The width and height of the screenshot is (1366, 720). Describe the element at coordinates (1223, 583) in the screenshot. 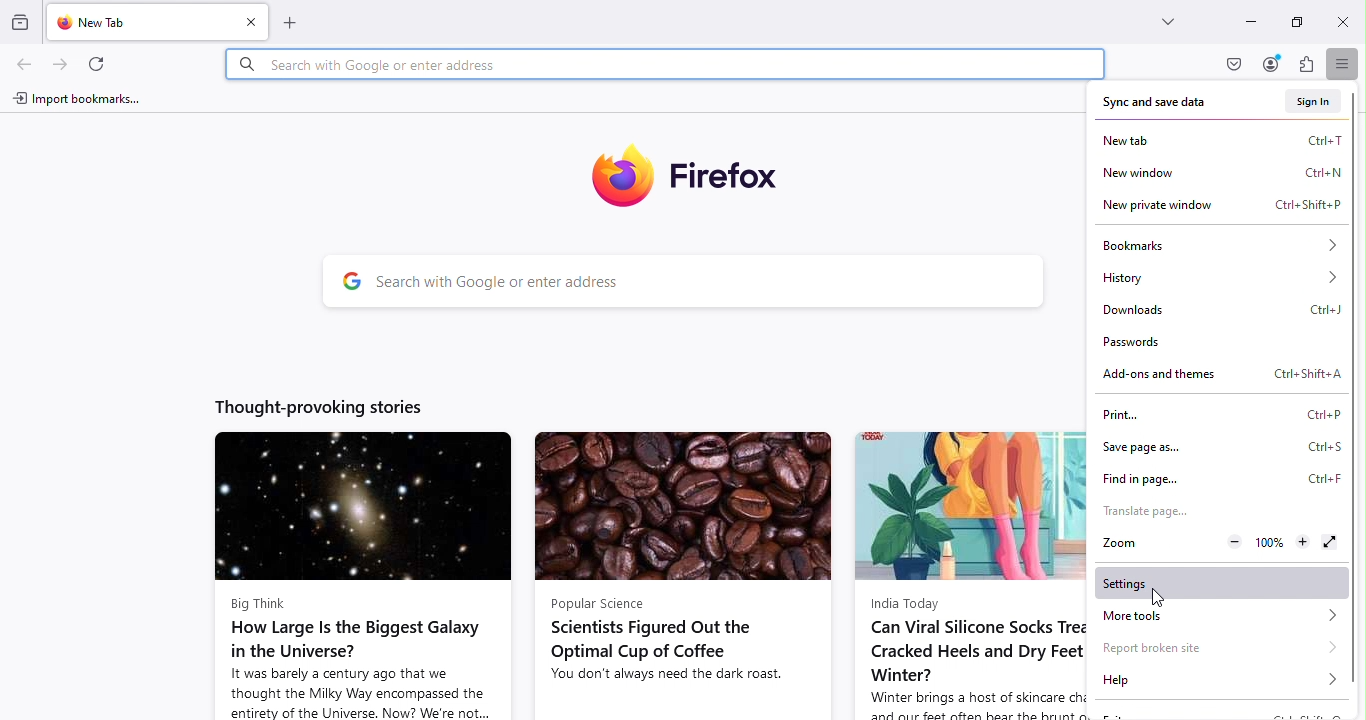

I see `Settings` at that location.